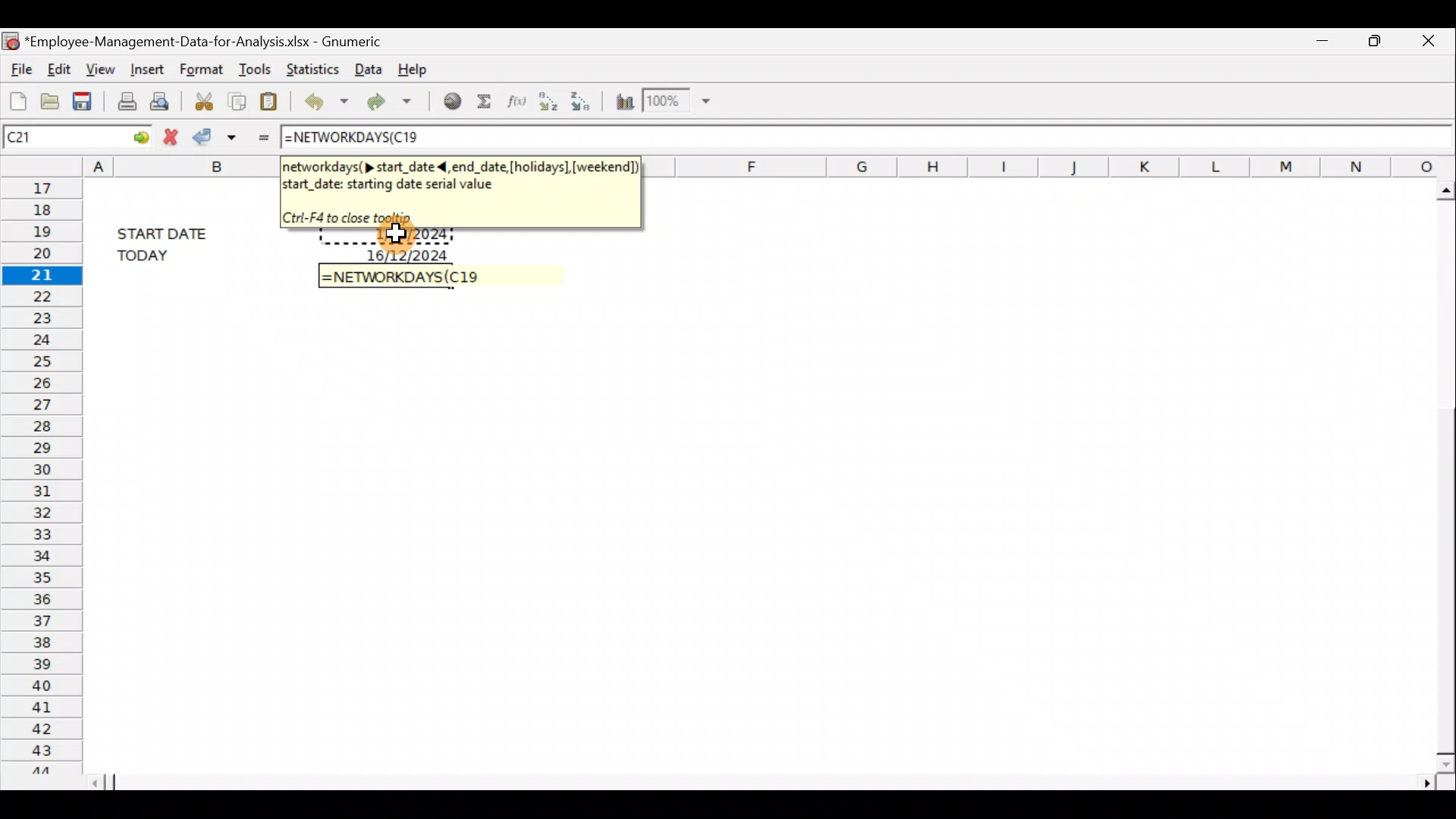 This screenshot has height=819, width=1456. What do you see at coordinates (127, 136) in the screenshot?
I see `GO TO` at bounding box center [127, 136].